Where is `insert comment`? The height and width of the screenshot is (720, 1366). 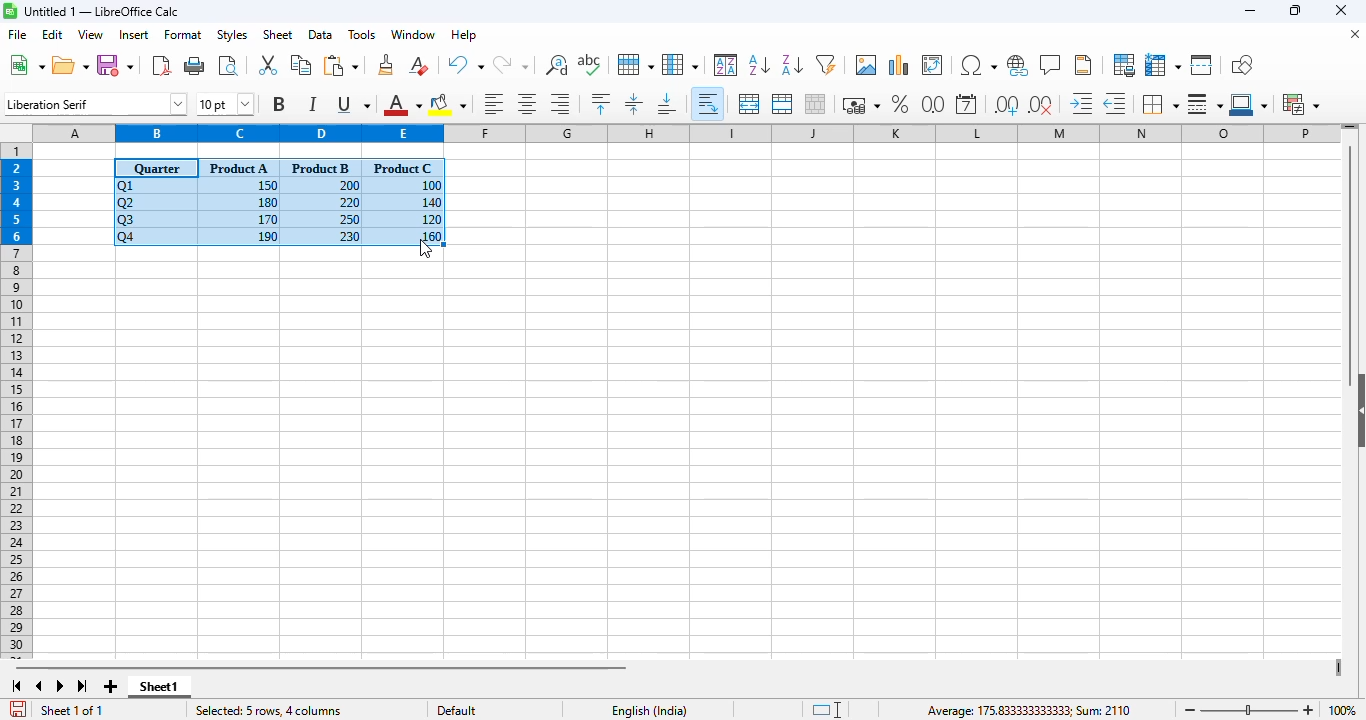 insert comment is located at coordinates (1051, 65).